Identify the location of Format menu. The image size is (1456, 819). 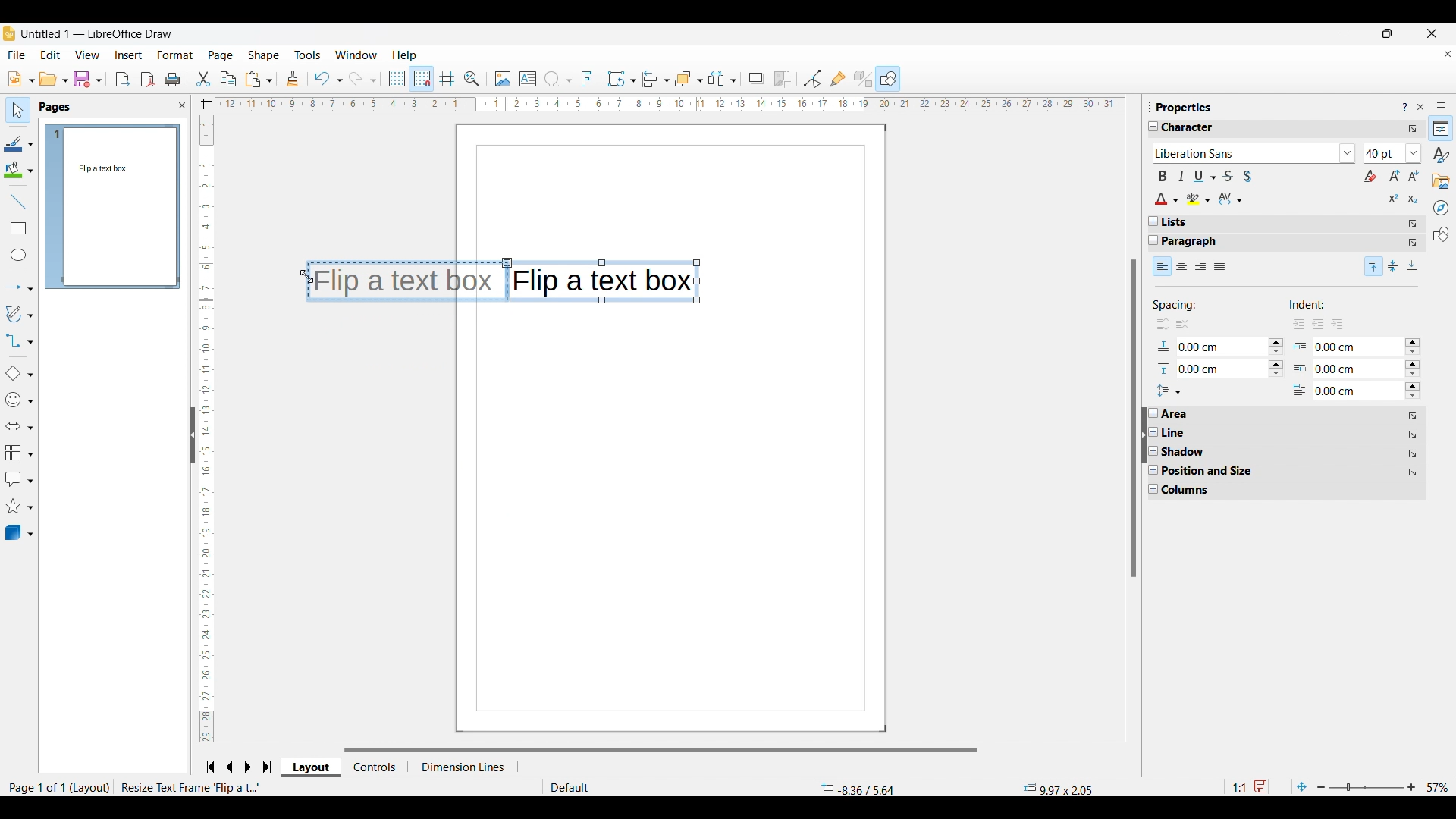
(176, 55).